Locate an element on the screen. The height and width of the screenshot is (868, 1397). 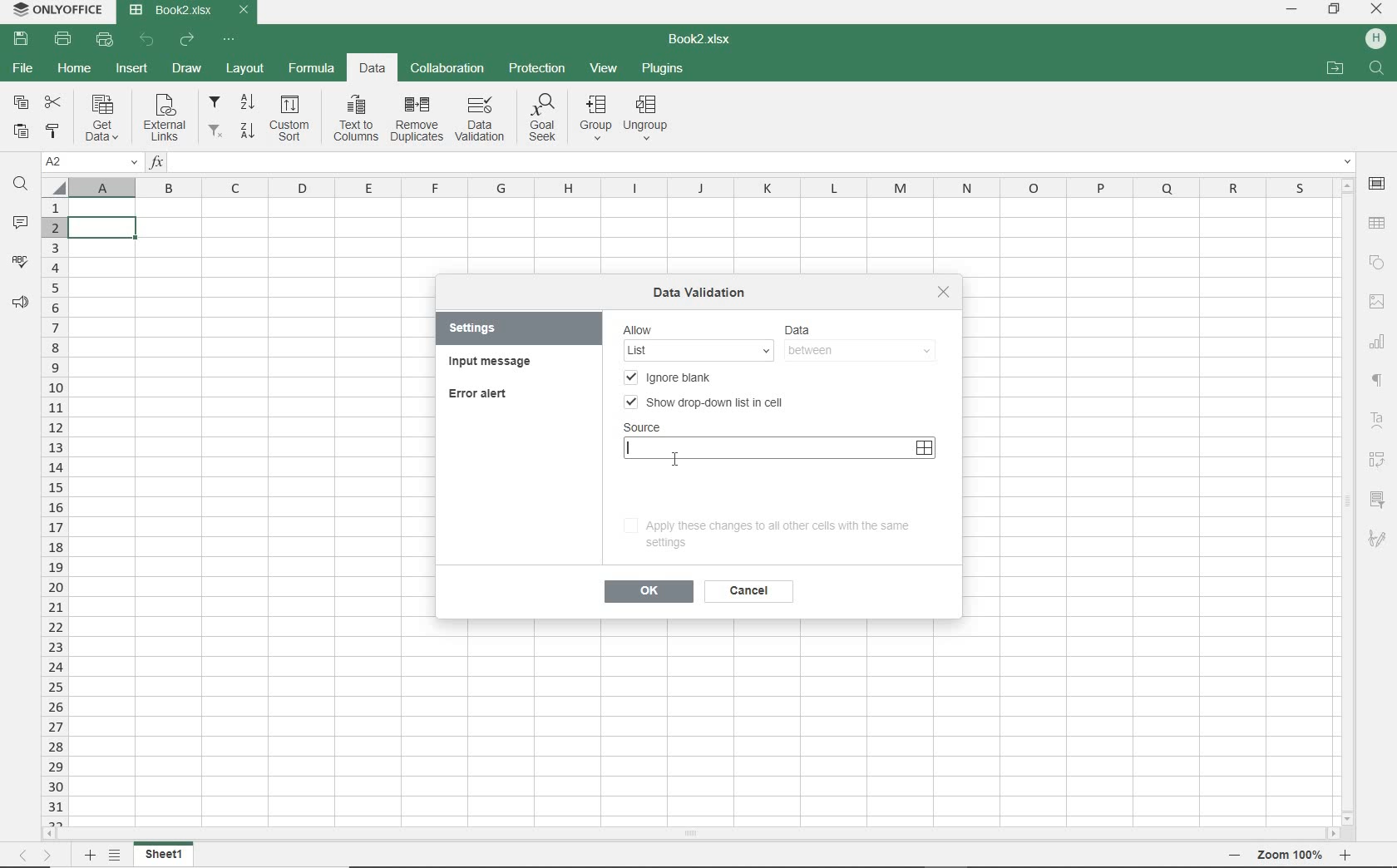
SPELL CHECKING is located at coordinates (21, 261).